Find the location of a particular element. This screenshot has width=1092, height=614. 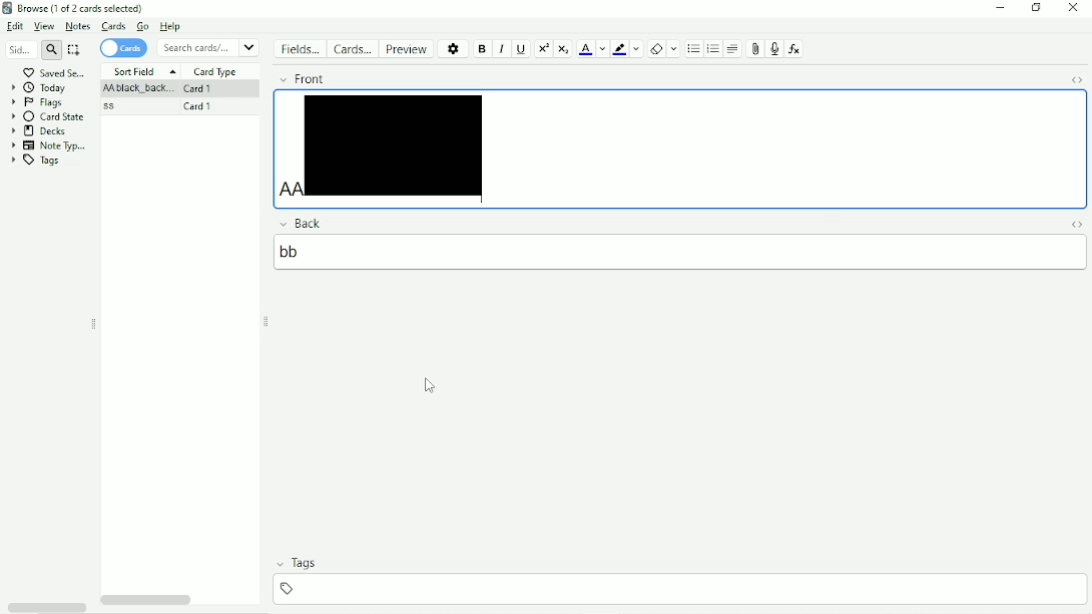

font is located at coordinates (309, 78).